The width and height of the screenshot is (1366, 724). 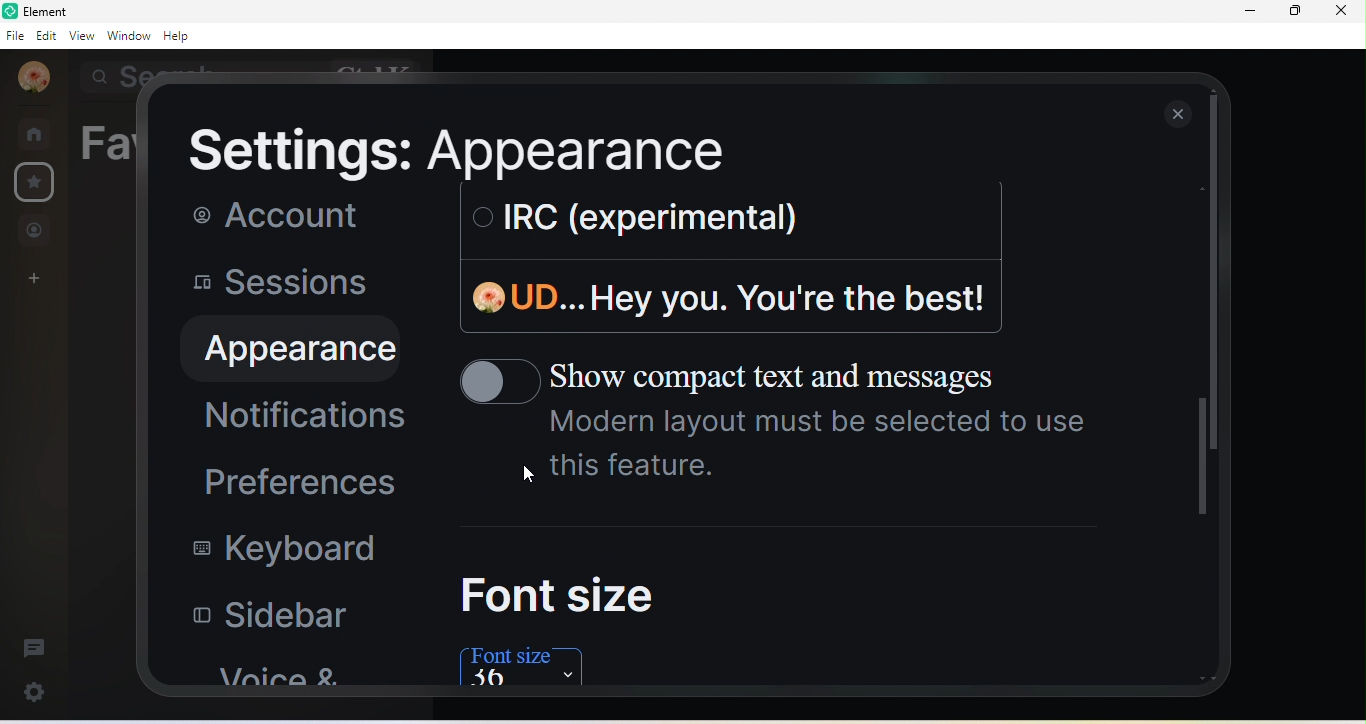 I want to click on font size, so click(x=527, y=666).